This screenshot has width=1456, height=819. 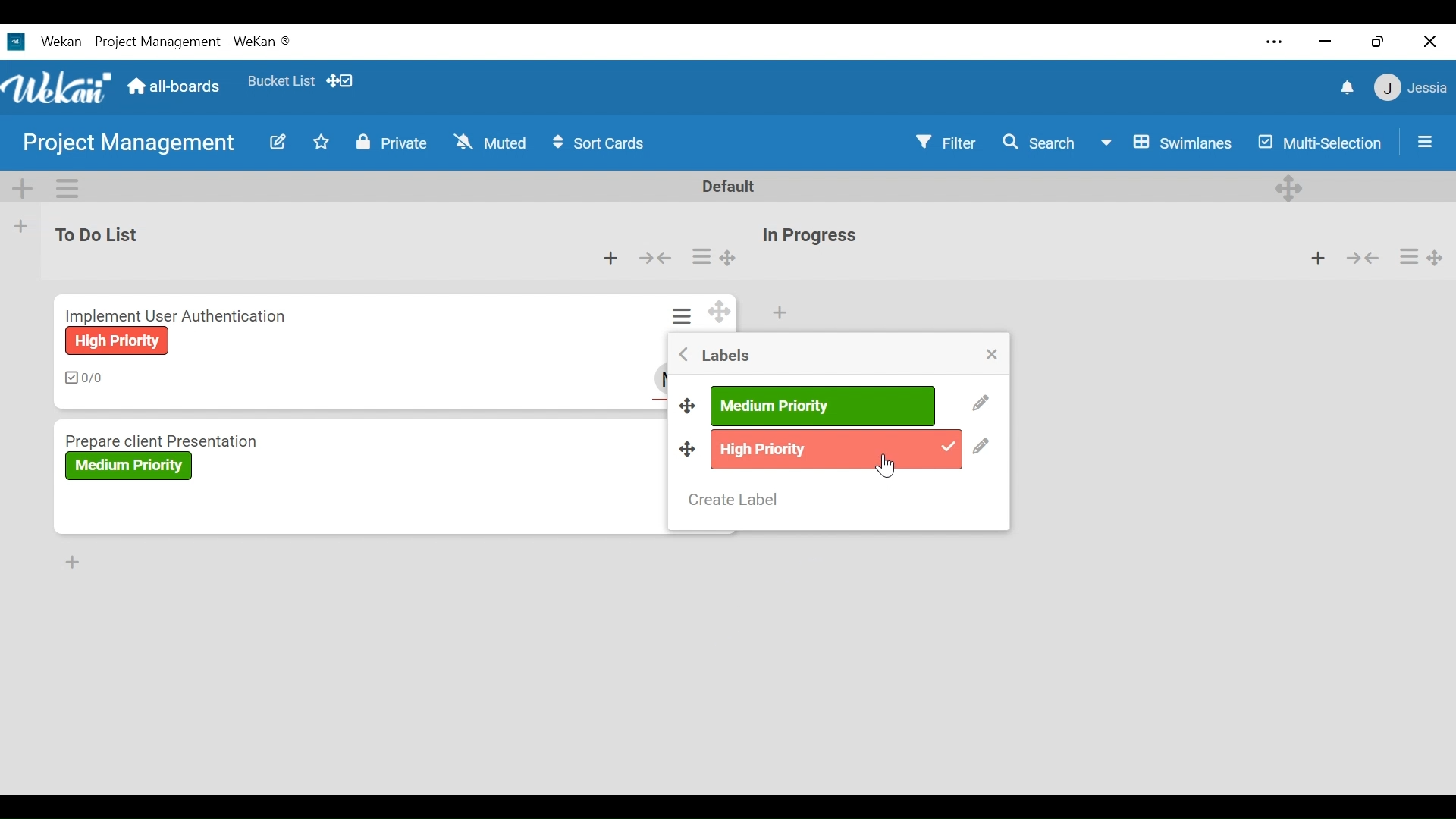 What do you see at coordinates (1361, 256) in the screenshot?
I see `Collapse` at bounding box center [1361, 256].